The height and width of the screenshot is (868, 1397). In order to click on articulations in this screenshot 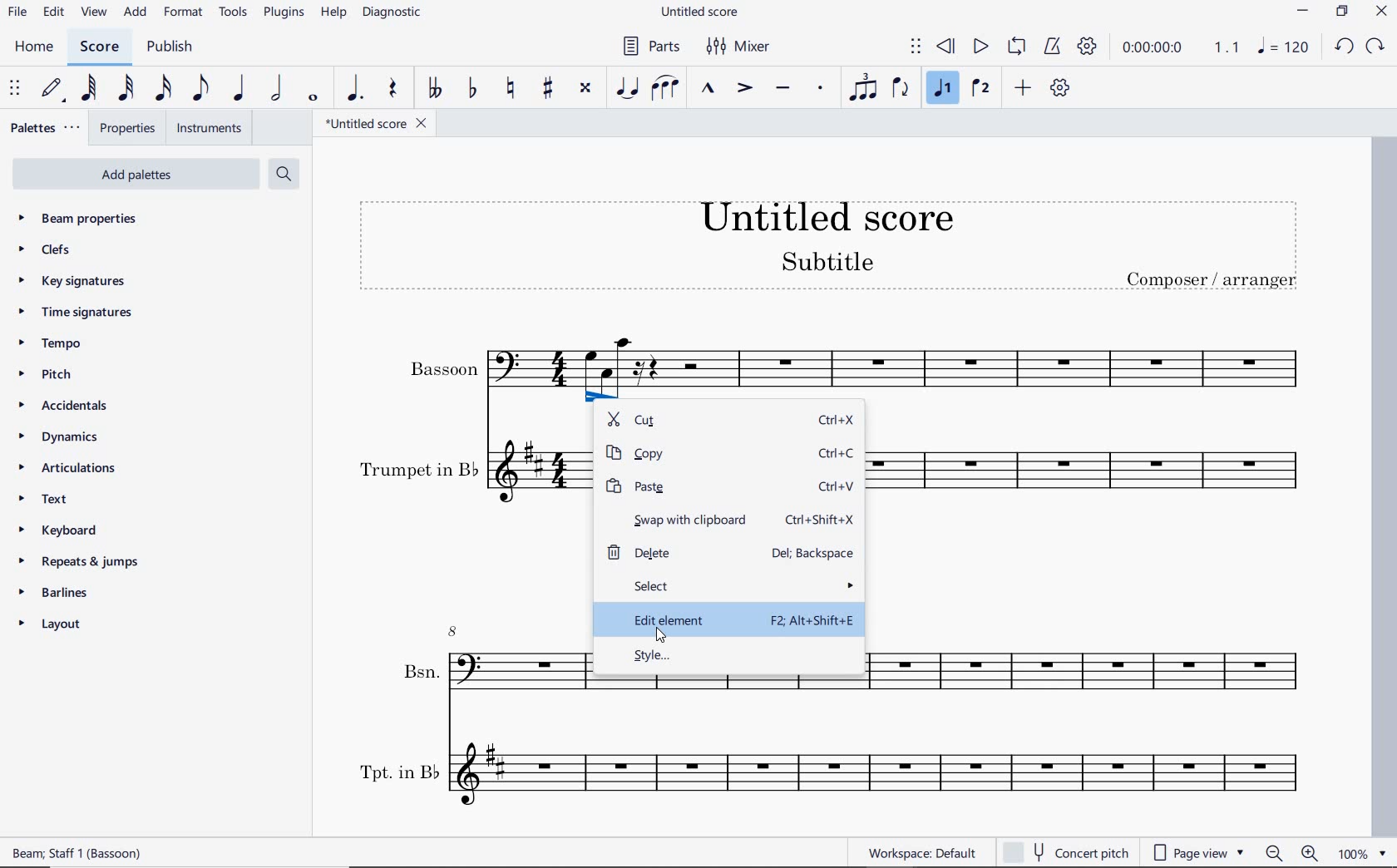, I will do `click(71, 468)`.